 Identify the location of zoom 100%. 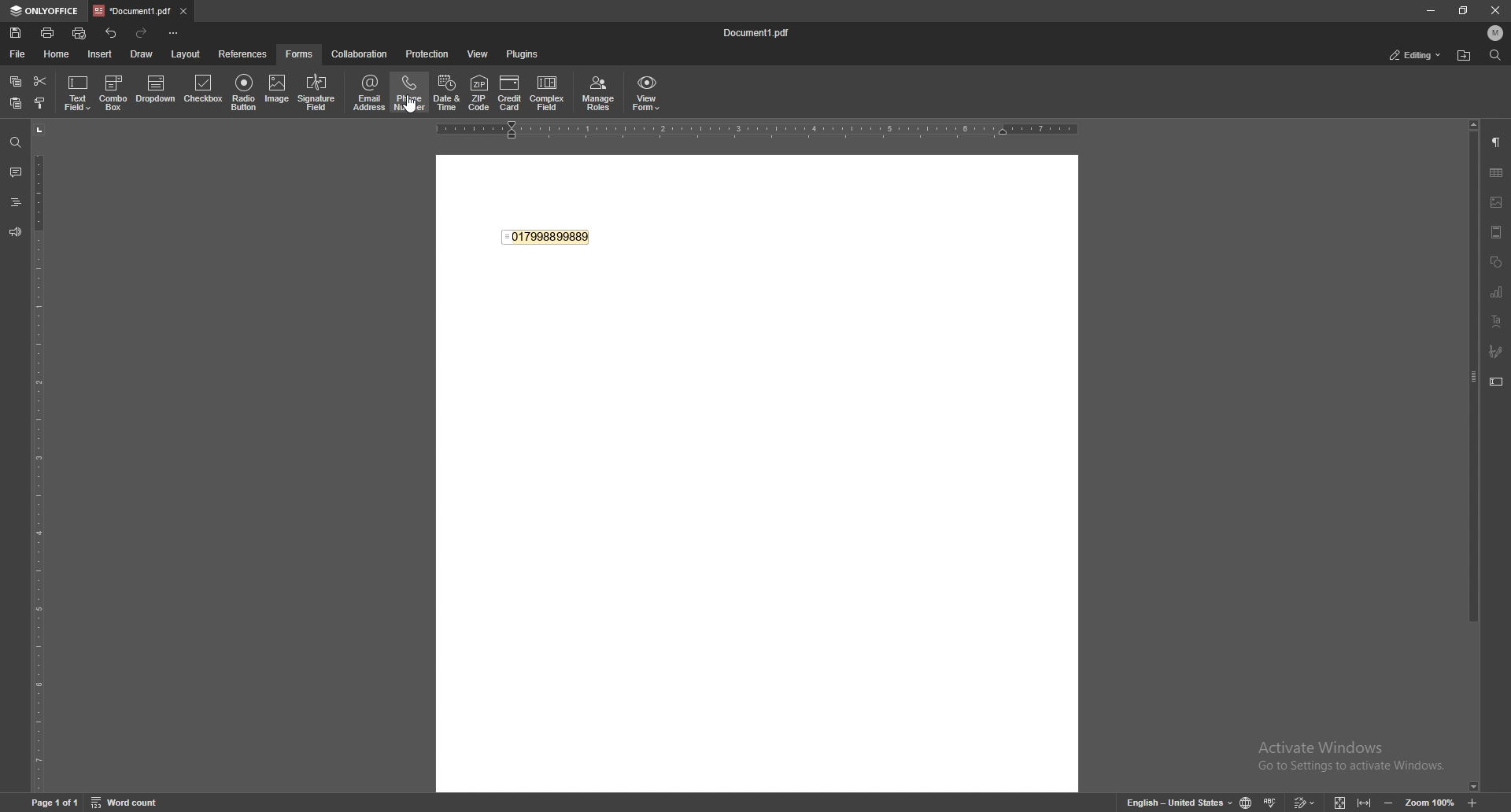
(1429, 803).